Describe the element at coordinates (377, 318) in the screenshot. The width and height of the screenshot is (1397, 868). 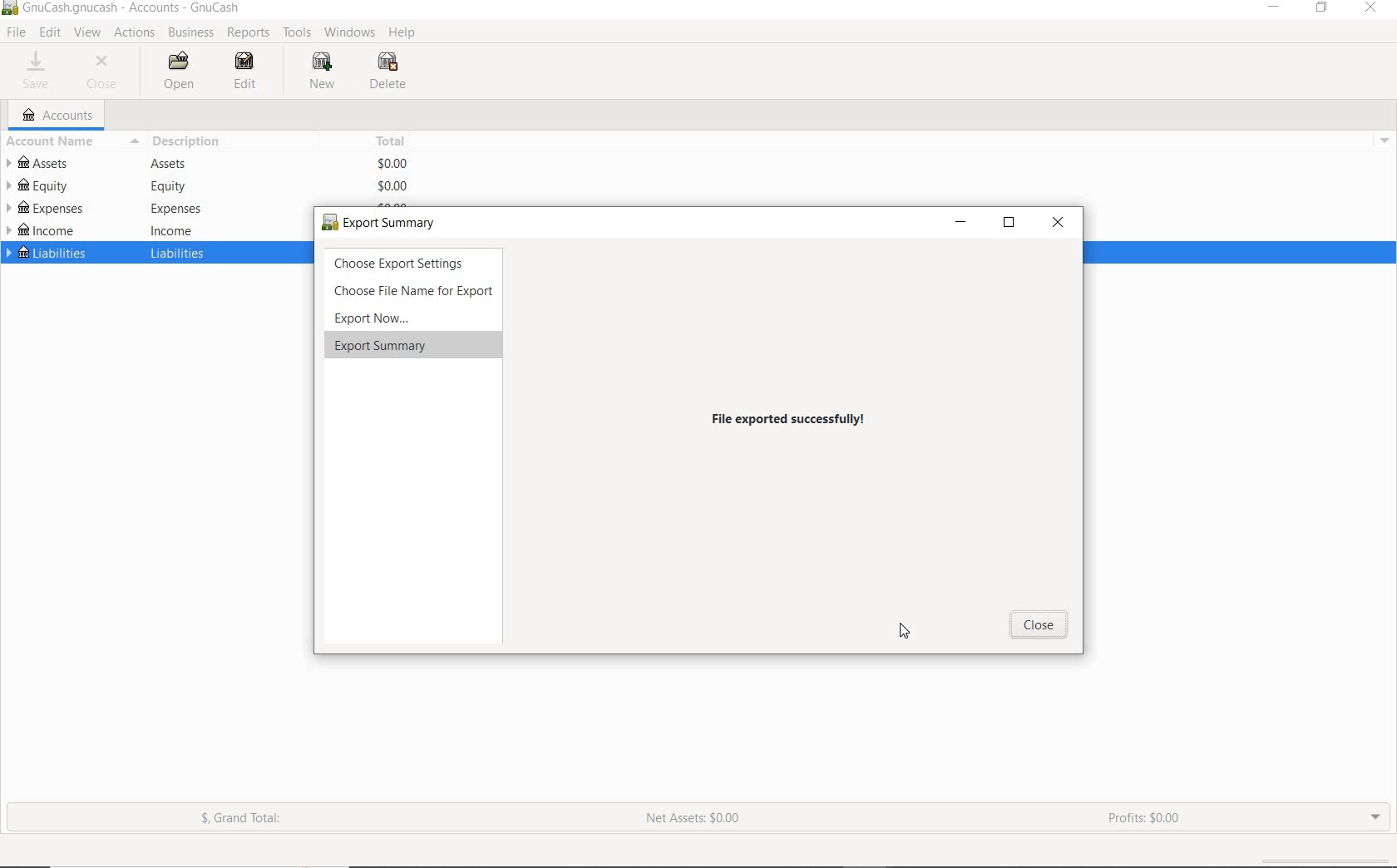
I see `export now...` at that location.